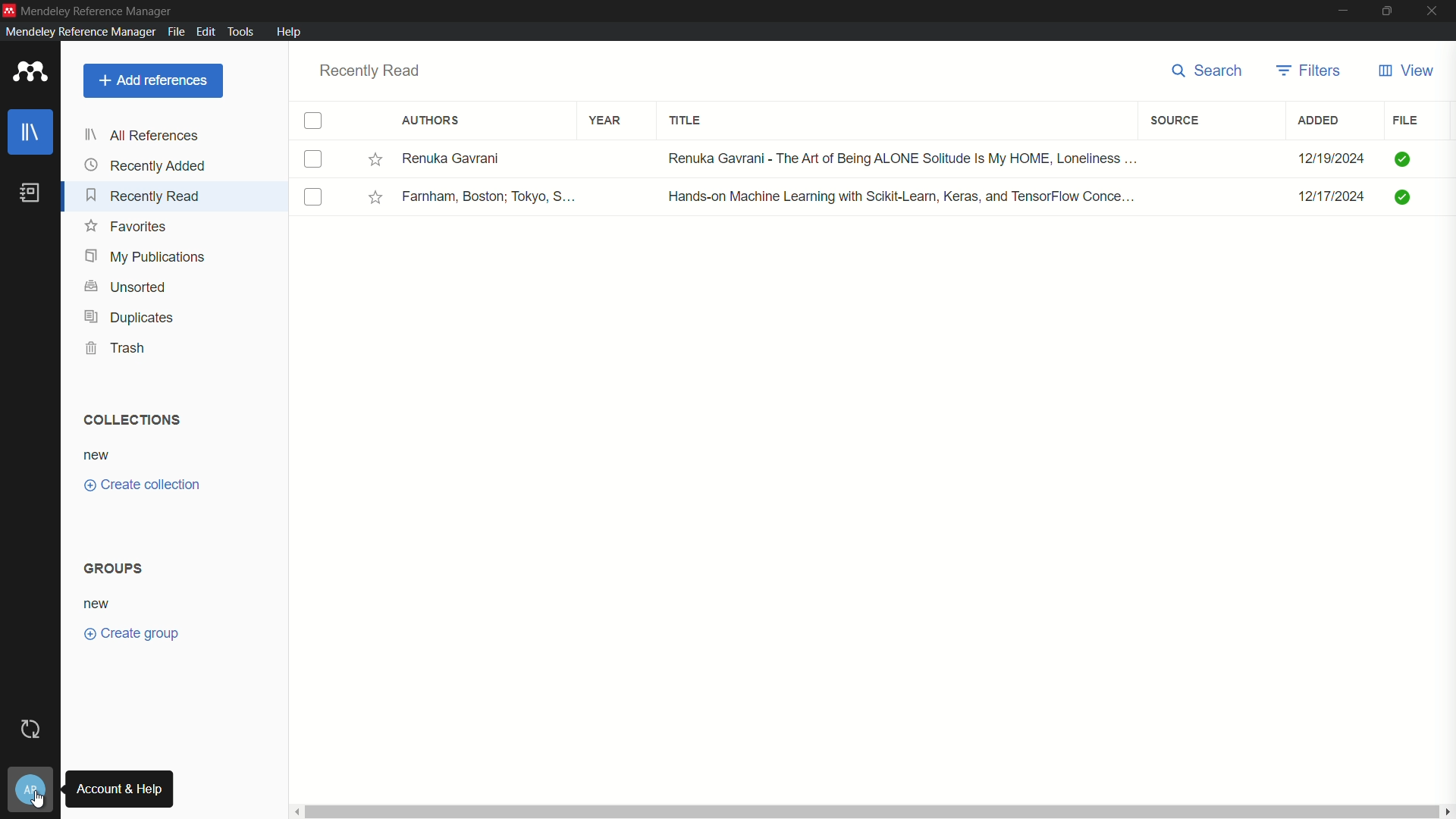  I want to click on tools menu, so click(242, 32).